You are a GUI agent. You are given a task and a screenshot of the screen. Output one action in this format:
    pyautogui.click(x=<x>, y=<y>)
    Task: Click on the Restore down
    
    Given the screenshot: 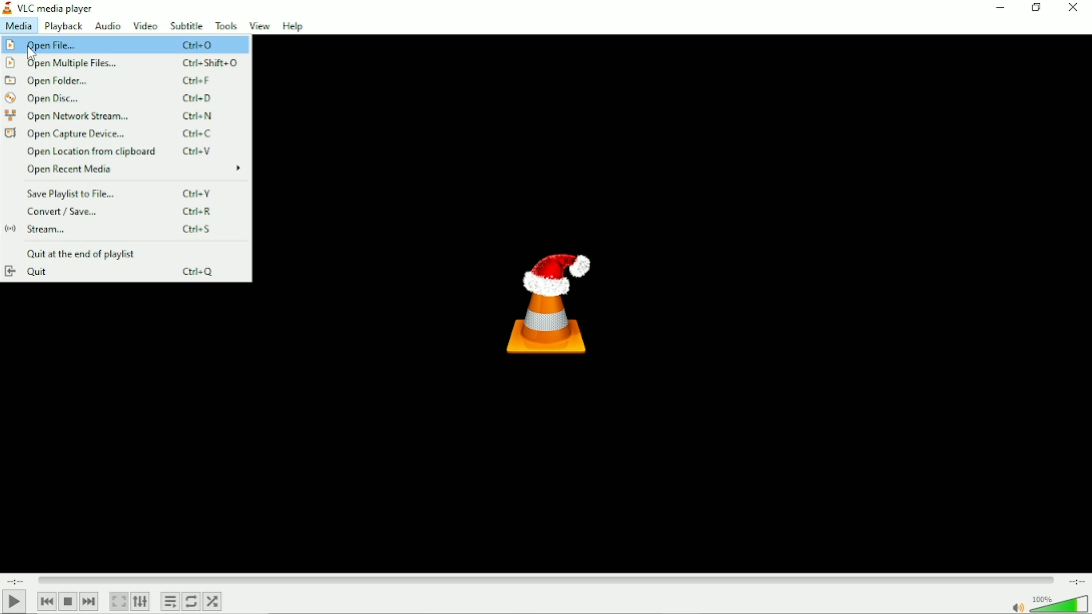 What is the action you would take?
    pyautogui.click(x=1035, y=7)
    